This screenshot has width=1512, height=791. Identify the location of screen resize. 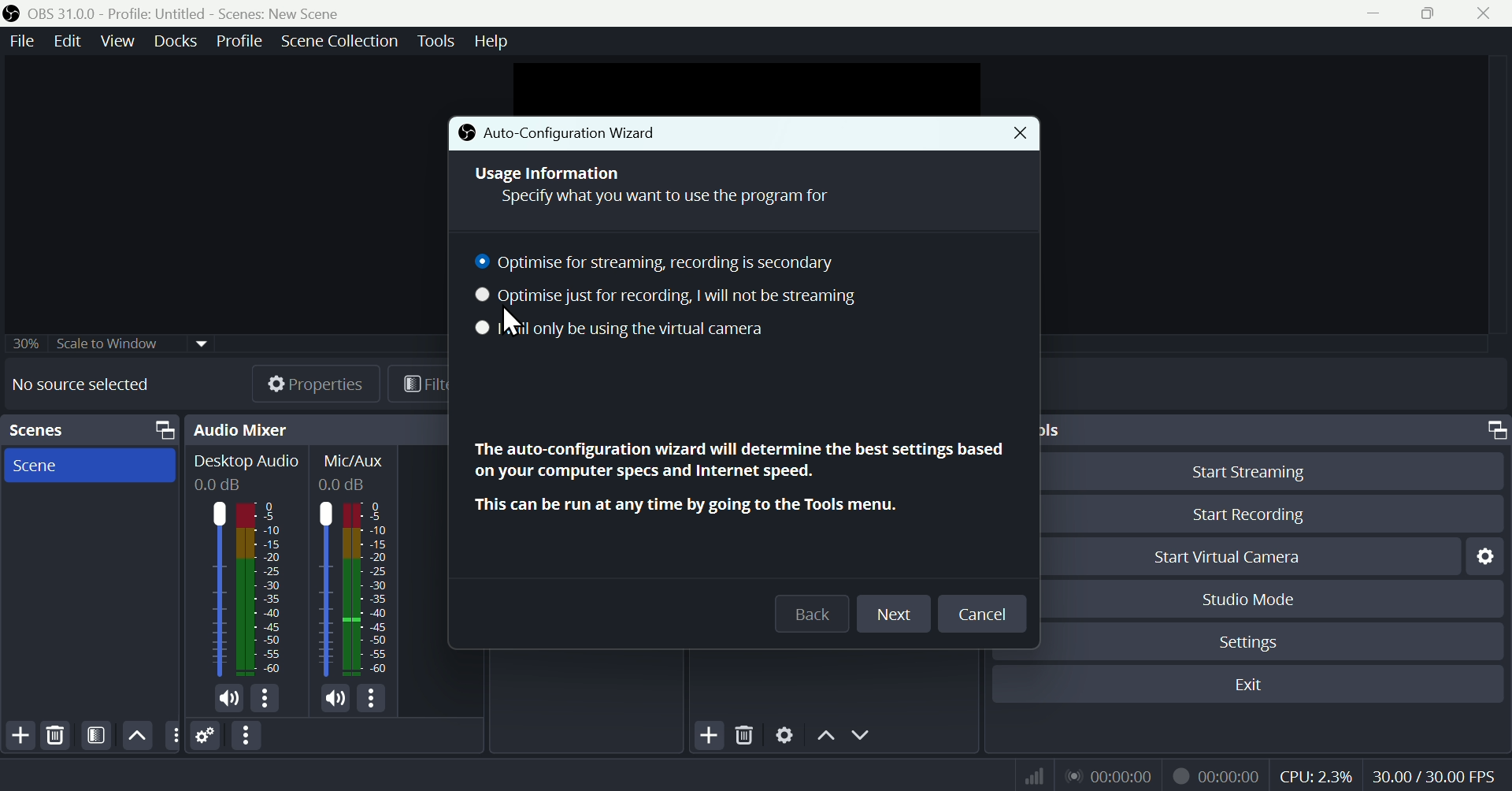
(160, 430).